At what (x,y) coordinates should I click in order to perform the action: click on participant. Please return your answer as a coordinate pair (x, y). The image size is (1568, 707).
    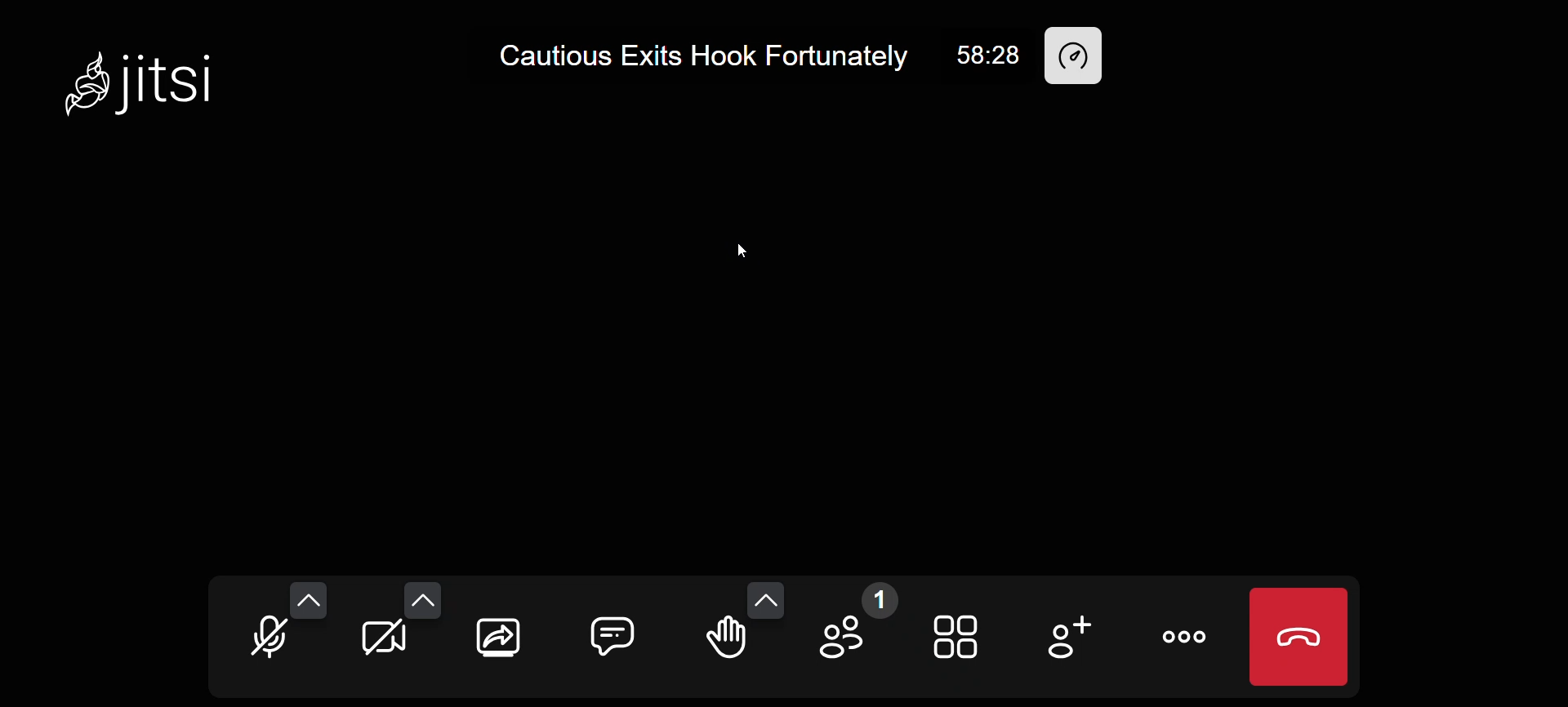
    Looking at the image, I should click on (856, 623).